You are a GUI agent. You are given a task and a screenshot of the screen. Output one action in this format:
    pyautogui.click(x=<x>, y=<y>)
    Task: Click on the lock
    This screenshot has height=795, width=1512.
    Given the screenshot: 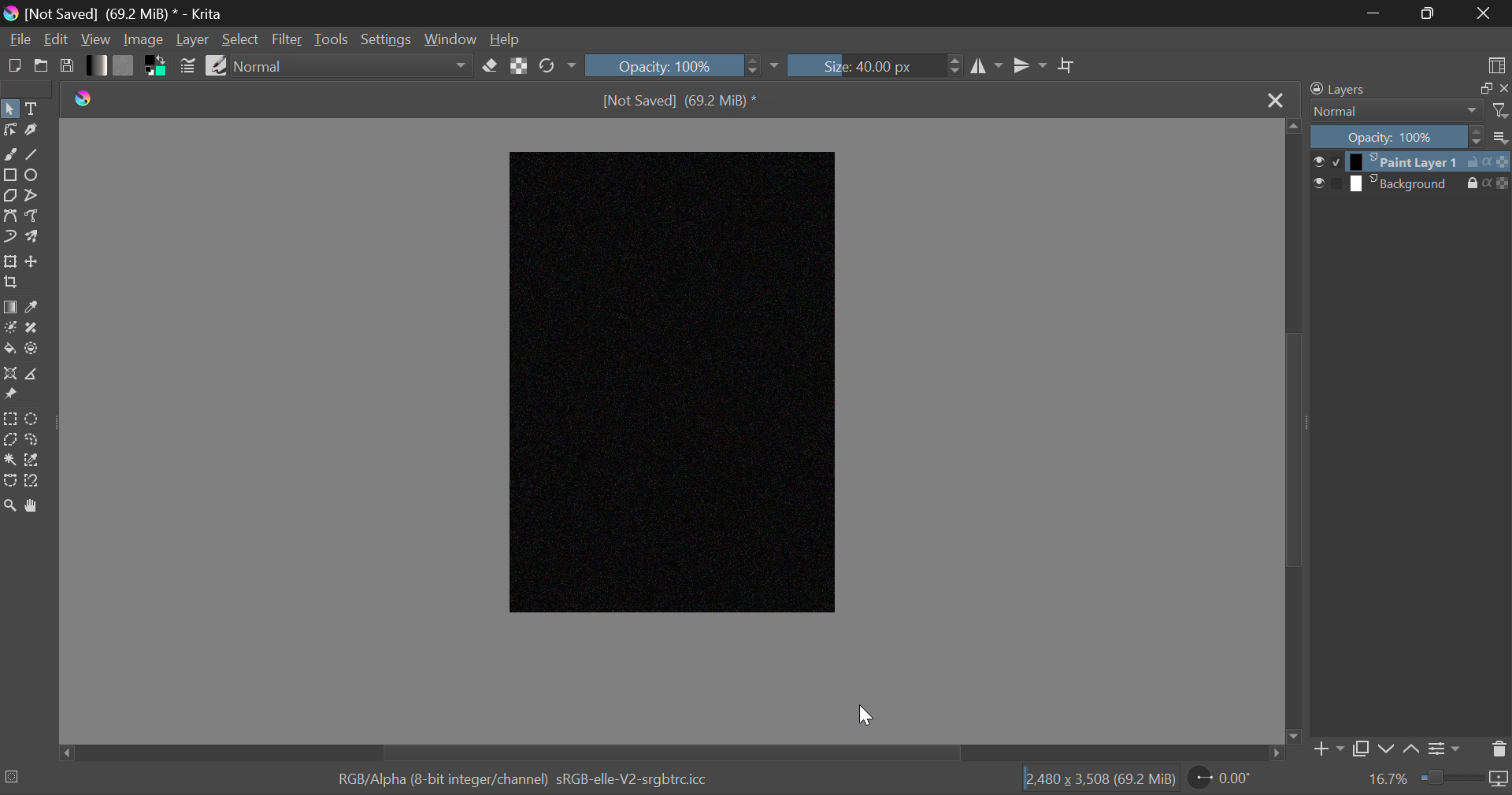 What is the action you would take?
    pyautogui.click(x=1469, y=161)
    